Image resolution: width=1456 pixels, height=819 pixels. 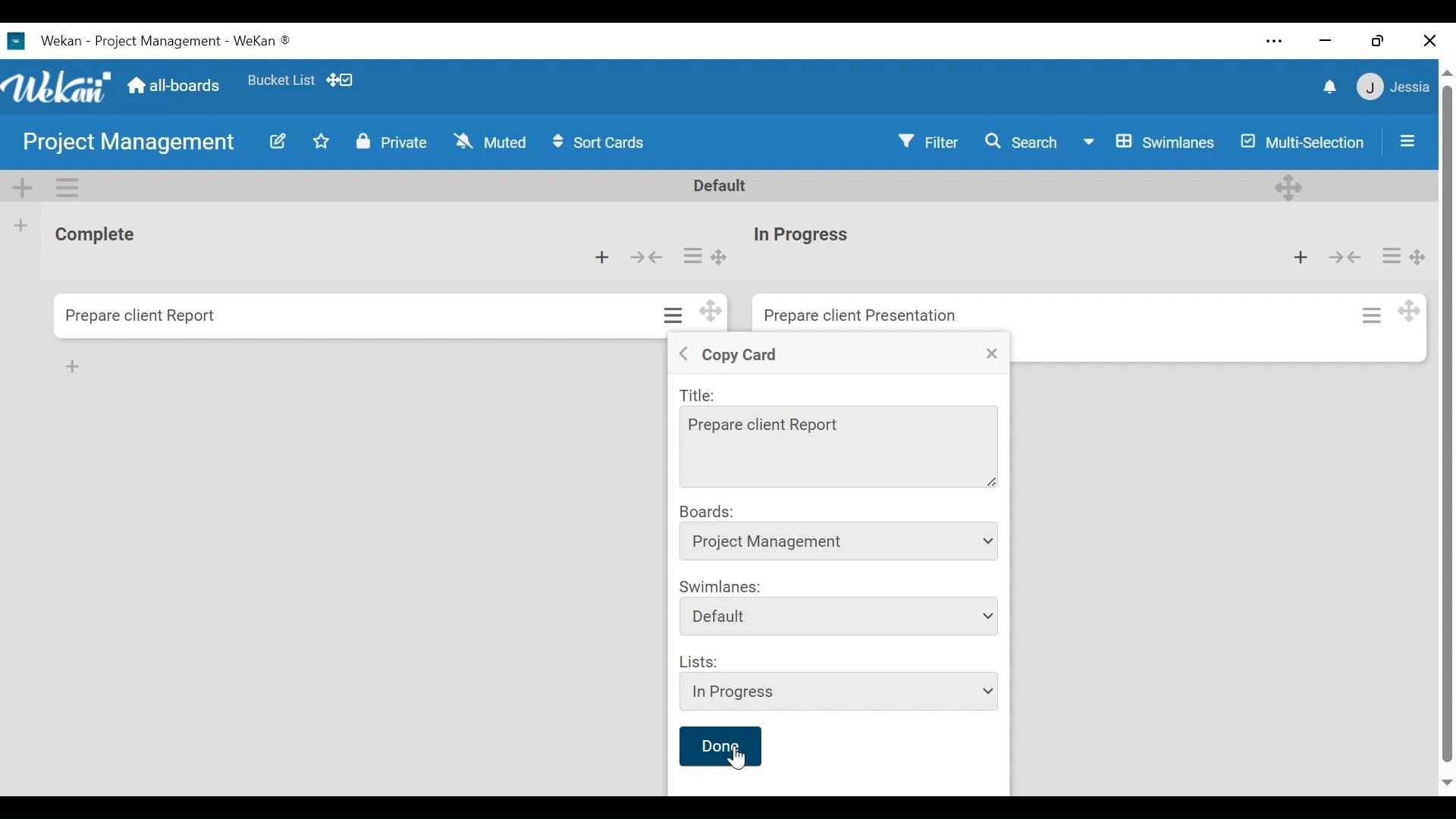 I want to click on Copy Crad, so click(x=748, y=353).